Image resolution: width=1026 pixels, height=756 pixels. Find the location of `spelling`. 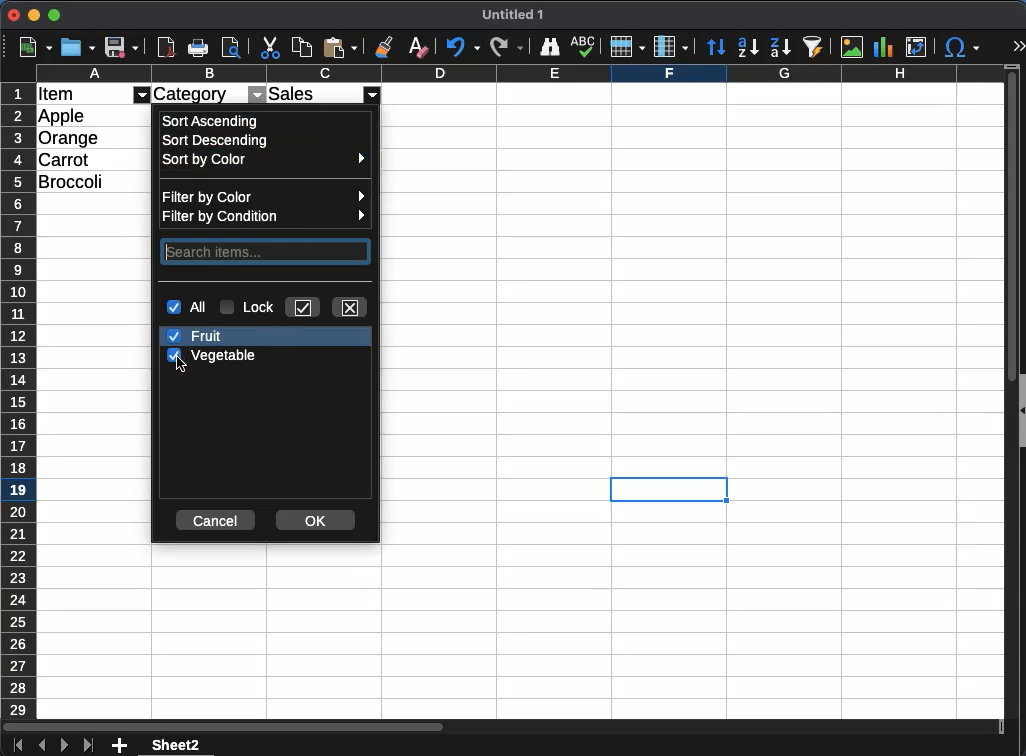

spelling is located at coordinates (584, 47).